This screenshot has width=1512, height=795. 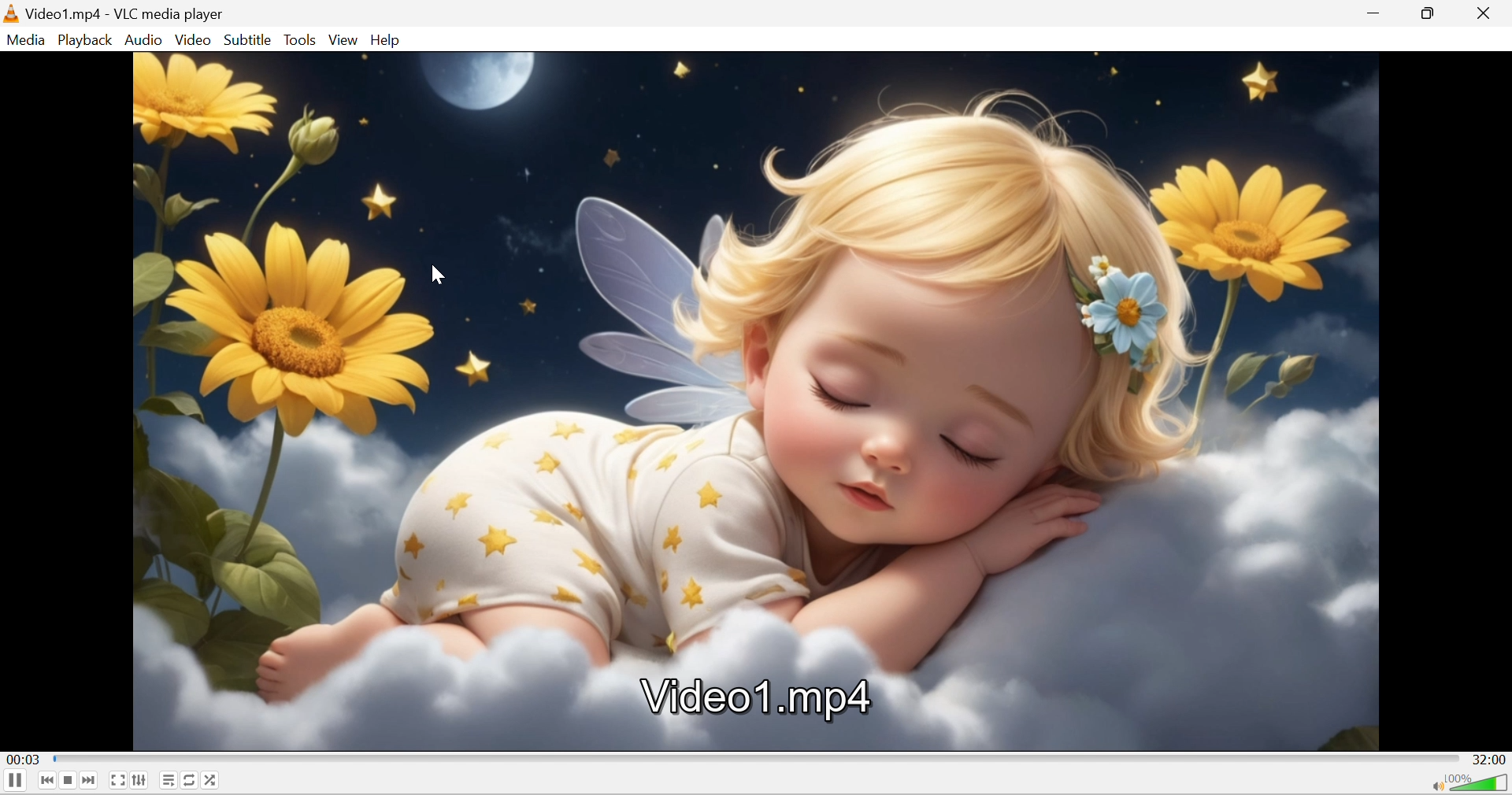 What do you see at coordinates (190, 779) in the screenshot?
I see `Click to toggle between loop all, loop one and no loop` at bounding box center [190, 779].